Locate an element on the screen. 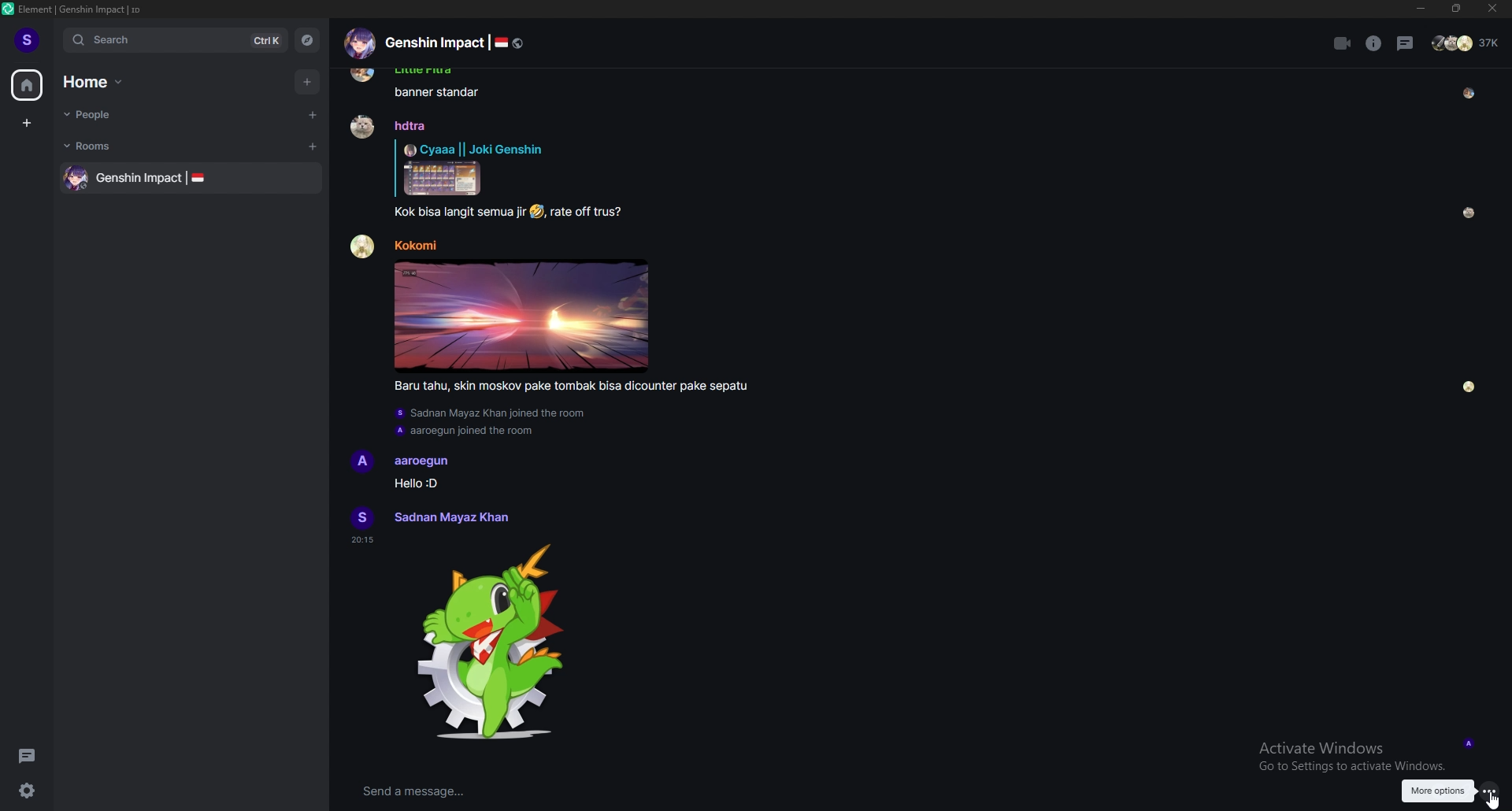 This screenshot has width=1512, height=811. quick settings is located at coordinates (27, 790).